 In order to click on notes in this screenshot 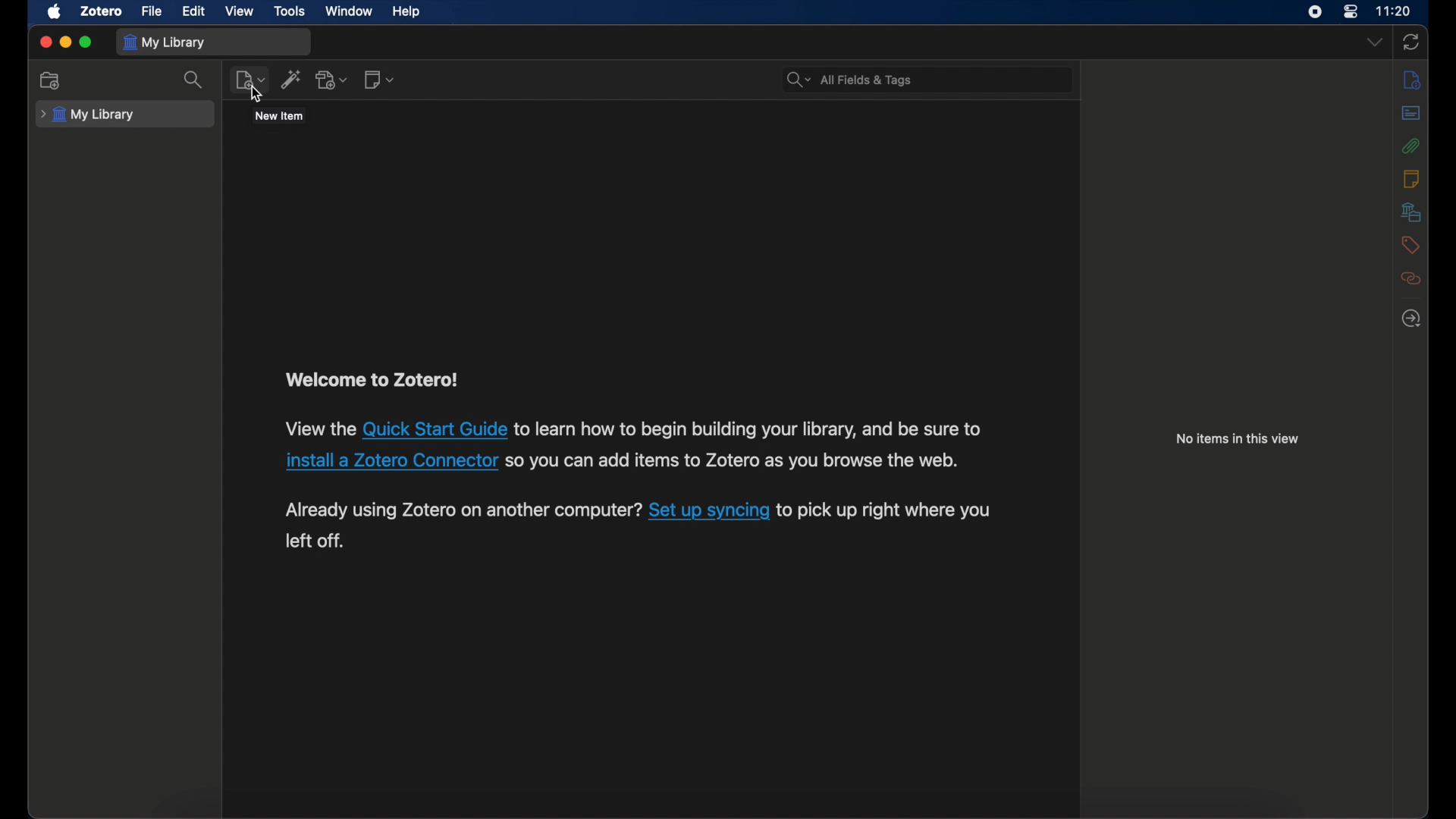, I will do `click(1410, 178)`.